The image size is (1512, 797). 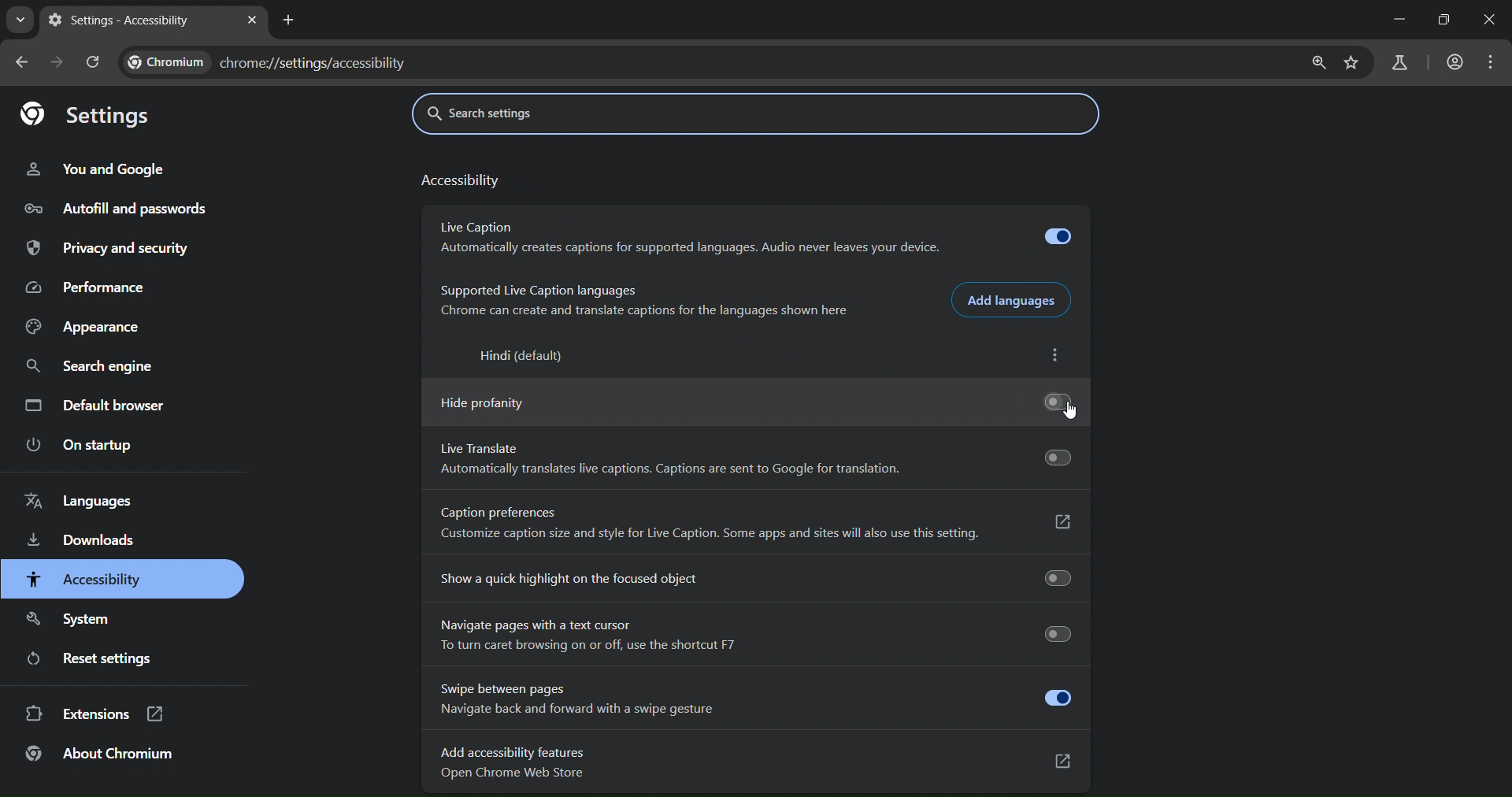 I want to click on search tab, so click(x=20, y=23).